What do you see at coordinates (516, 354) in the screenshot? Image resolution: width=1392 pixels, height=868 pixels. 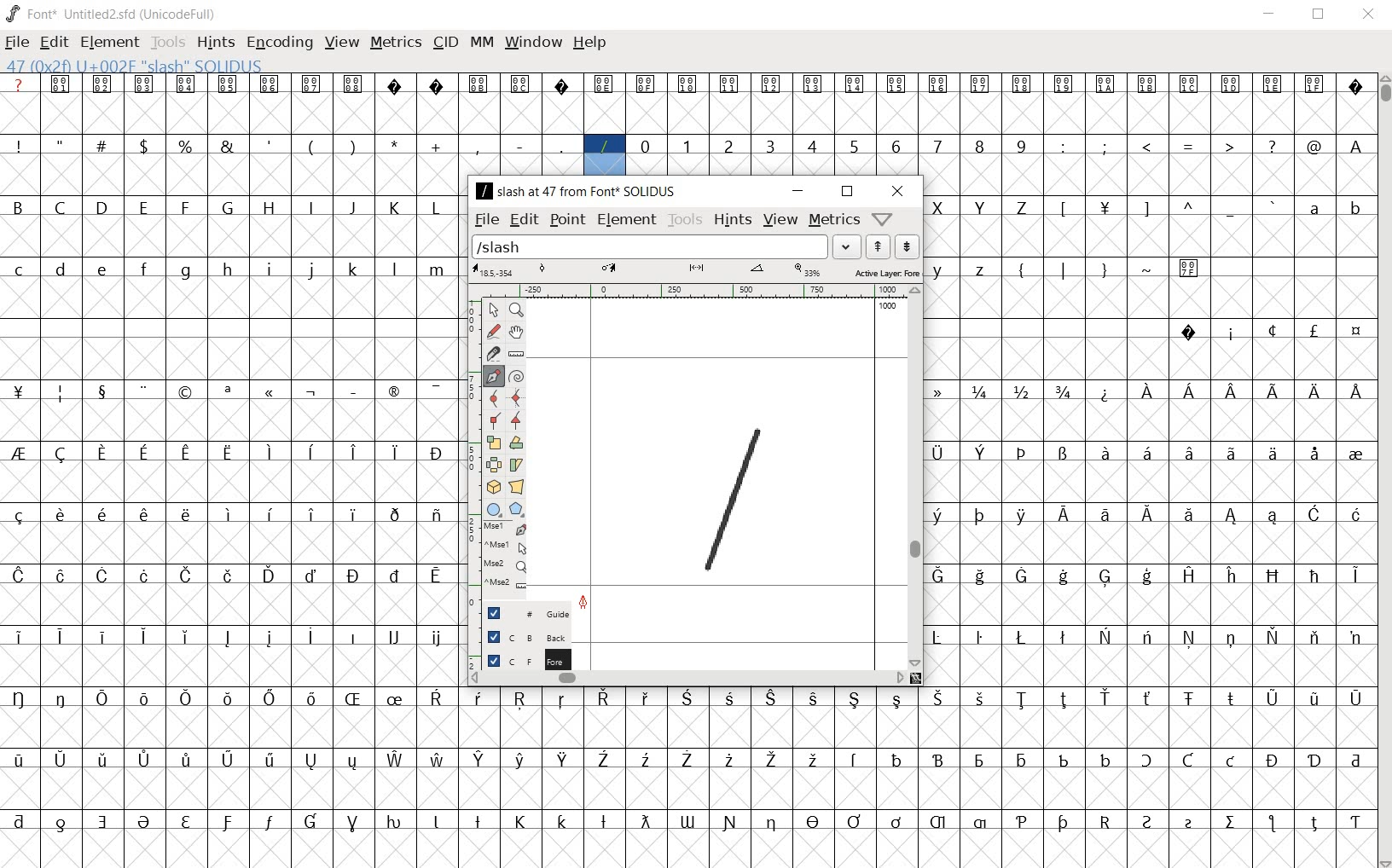 I see `measure a distance, angle between points` at bounding box center [516, 354].